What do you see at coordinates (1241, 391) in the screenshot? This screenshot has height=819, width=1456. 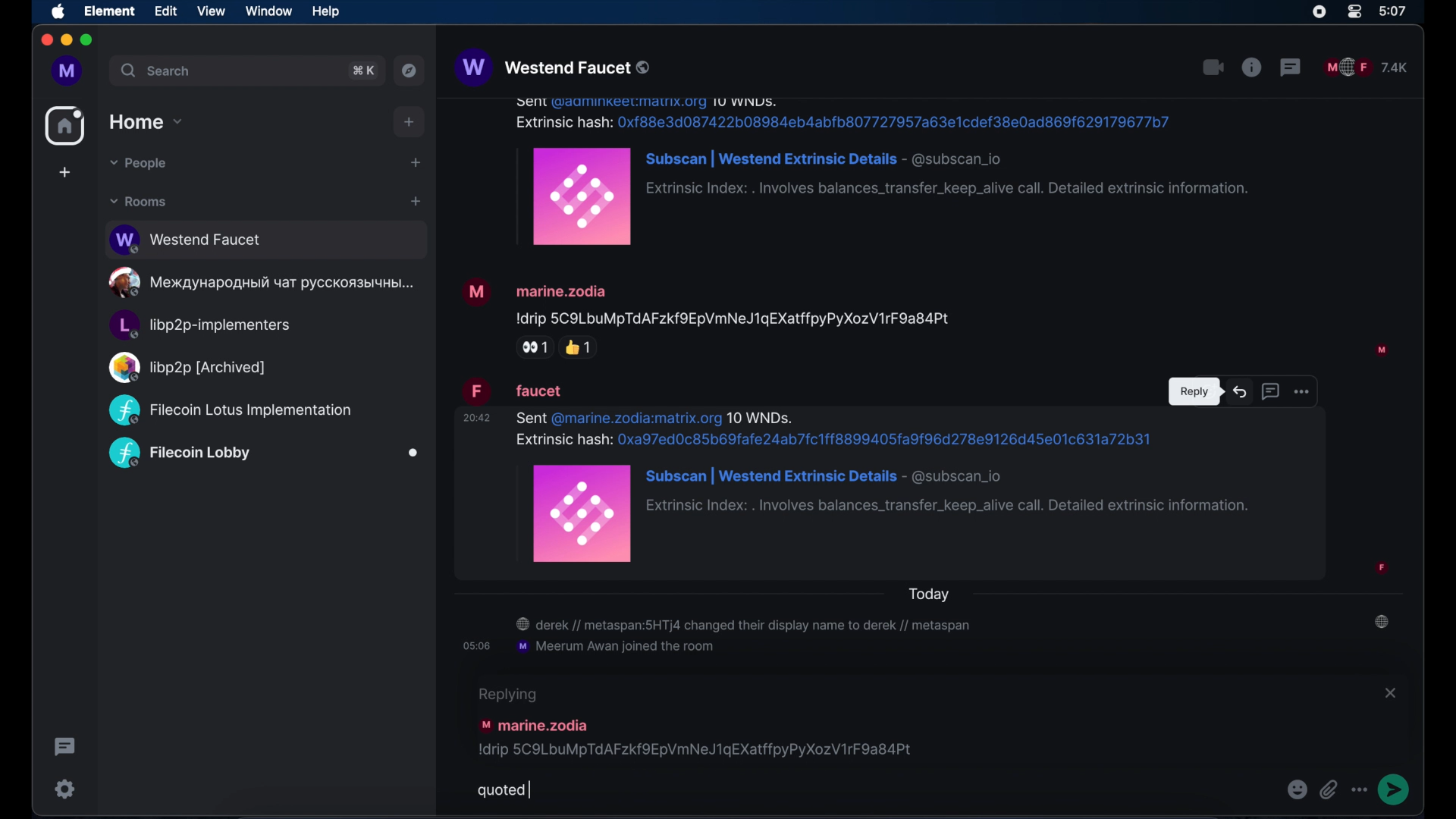 I see `reply` at bounding box center [1241, 391].